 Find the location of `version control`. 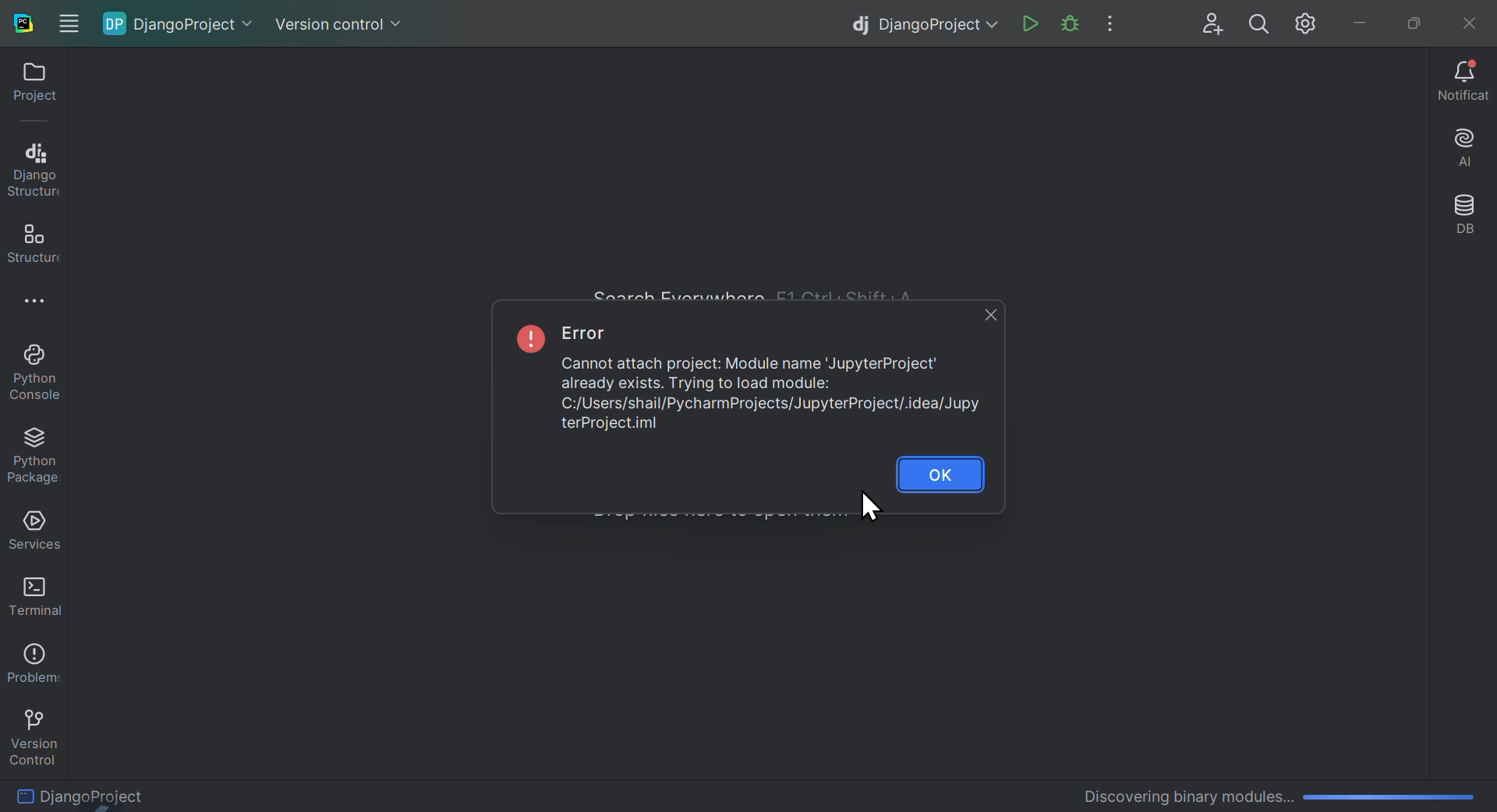

version control is located at coordinates (33, 733).